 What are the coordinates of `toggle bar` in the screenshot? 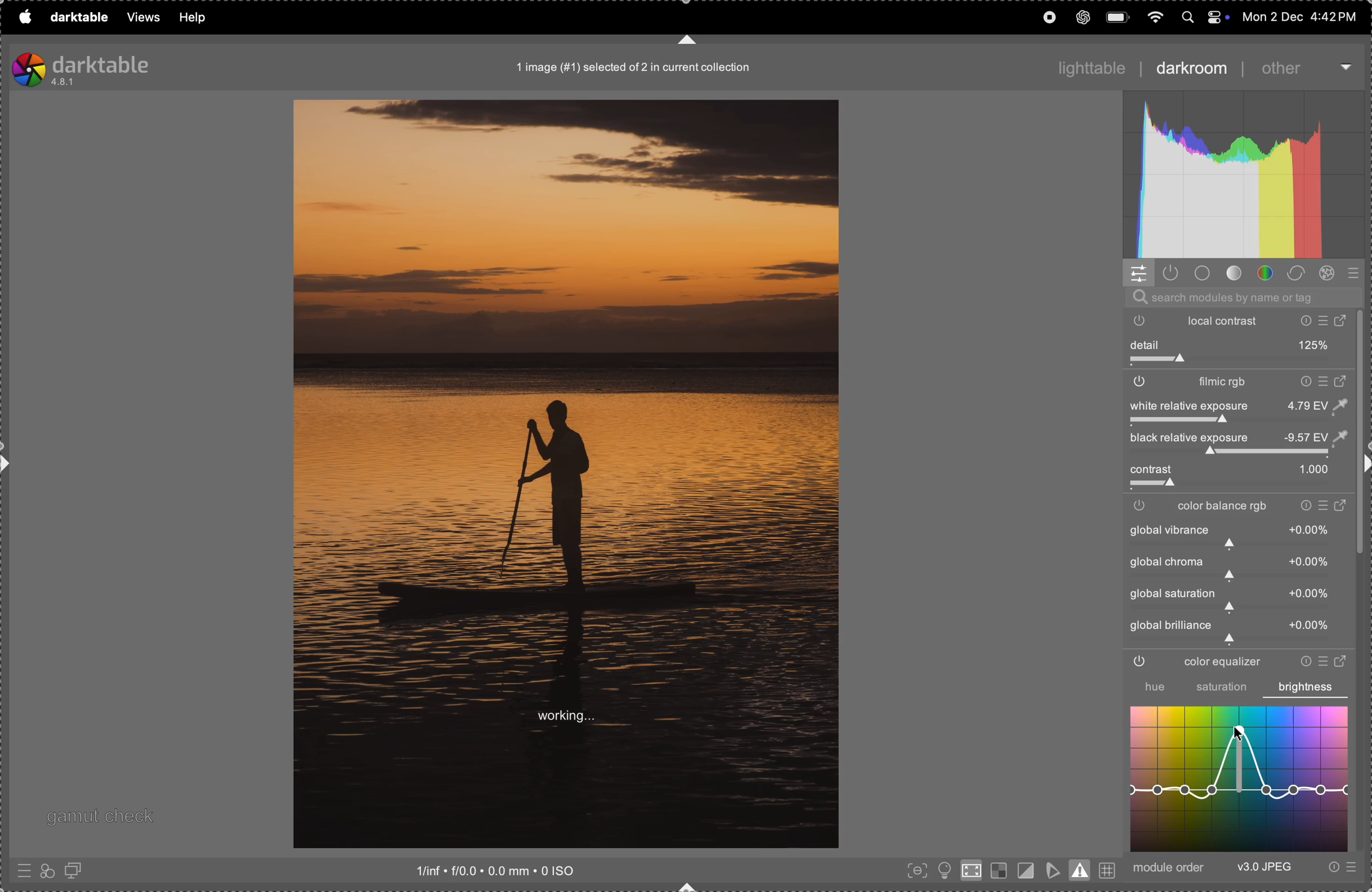 It's located at (1239, 362).